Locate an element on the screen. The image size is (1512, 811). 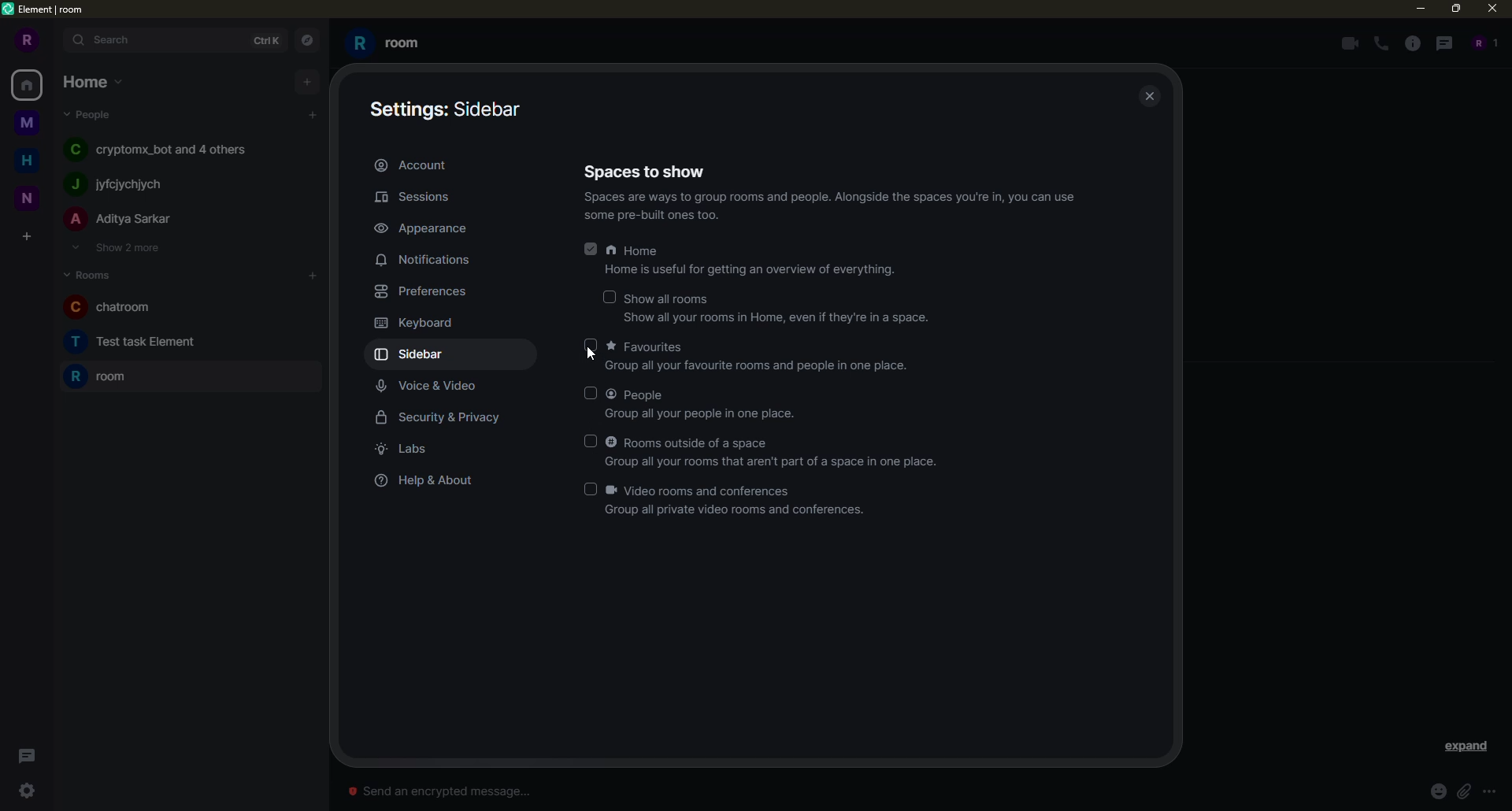
selected is located at coordinates (589, 250).